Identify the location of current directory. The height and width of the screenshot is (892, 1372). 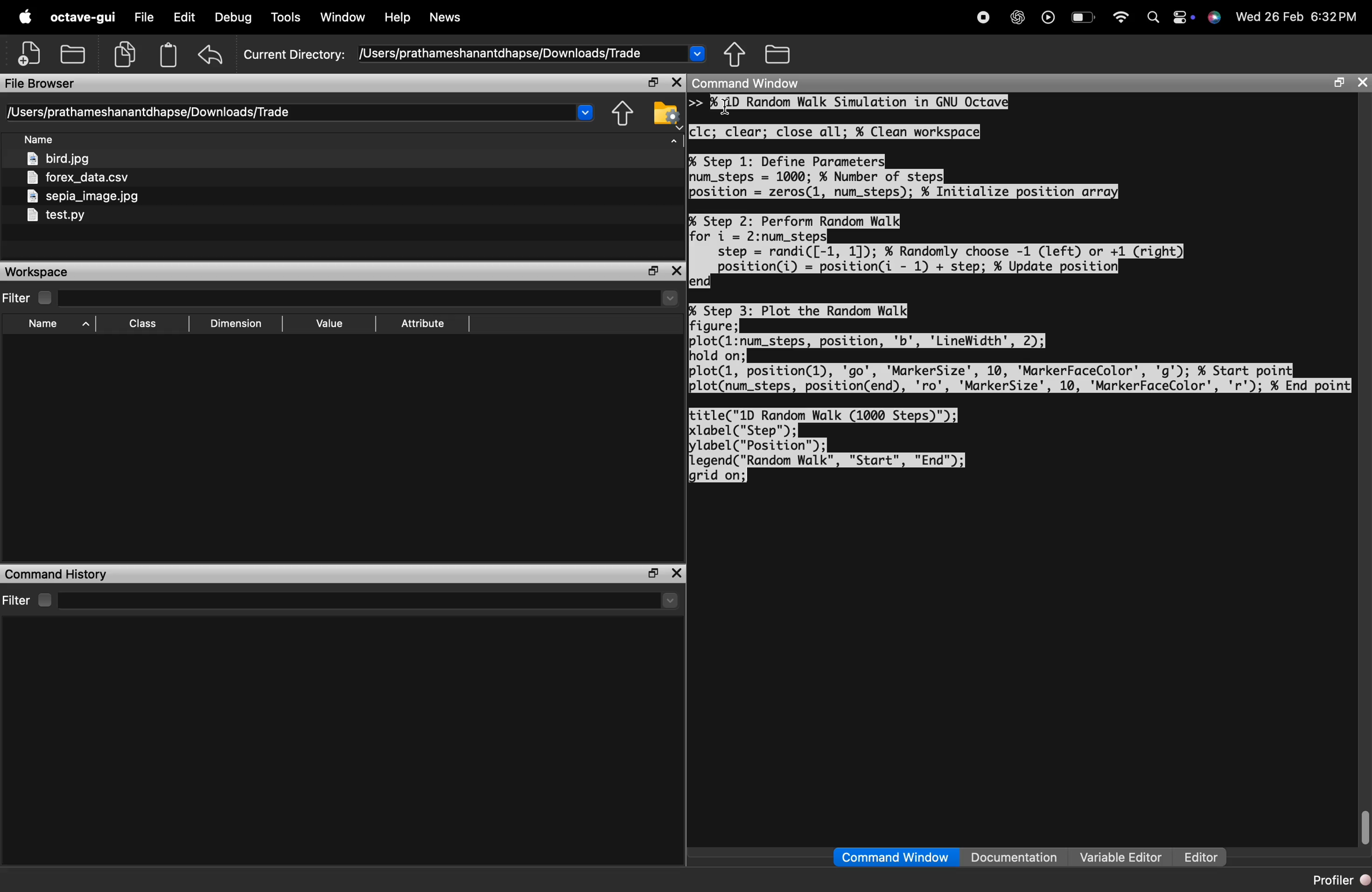
(301, 112).